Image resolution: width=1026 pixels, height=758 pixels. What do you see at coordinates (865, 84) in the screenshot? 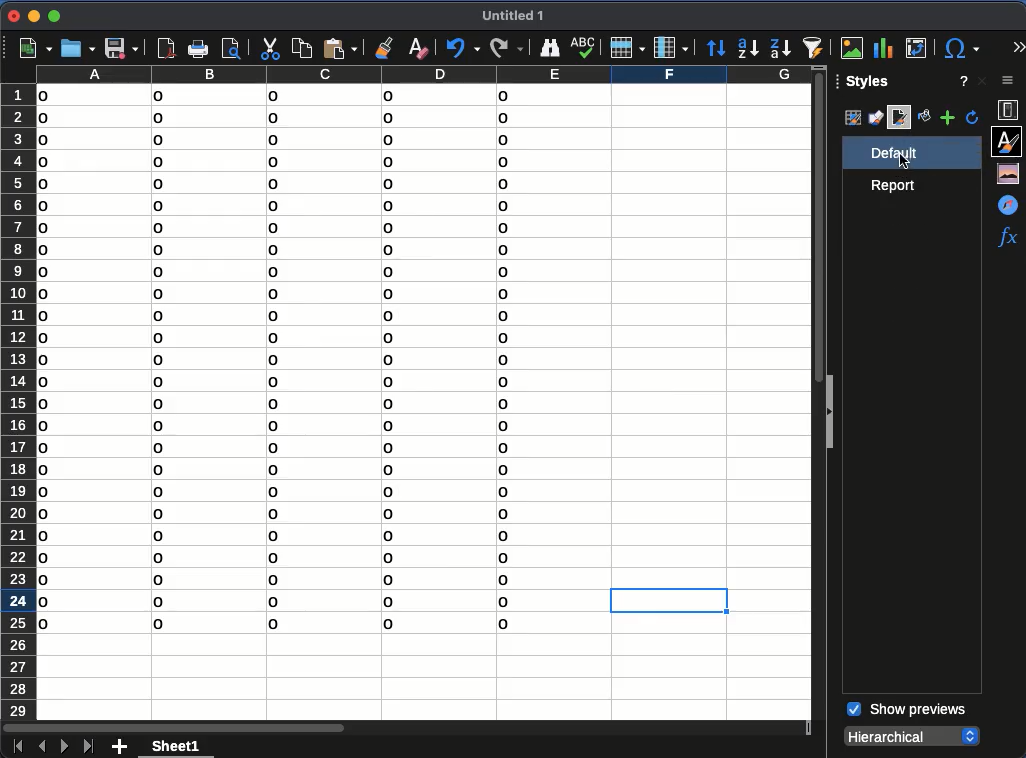
I see `styles` at bounding box center [865, 84].